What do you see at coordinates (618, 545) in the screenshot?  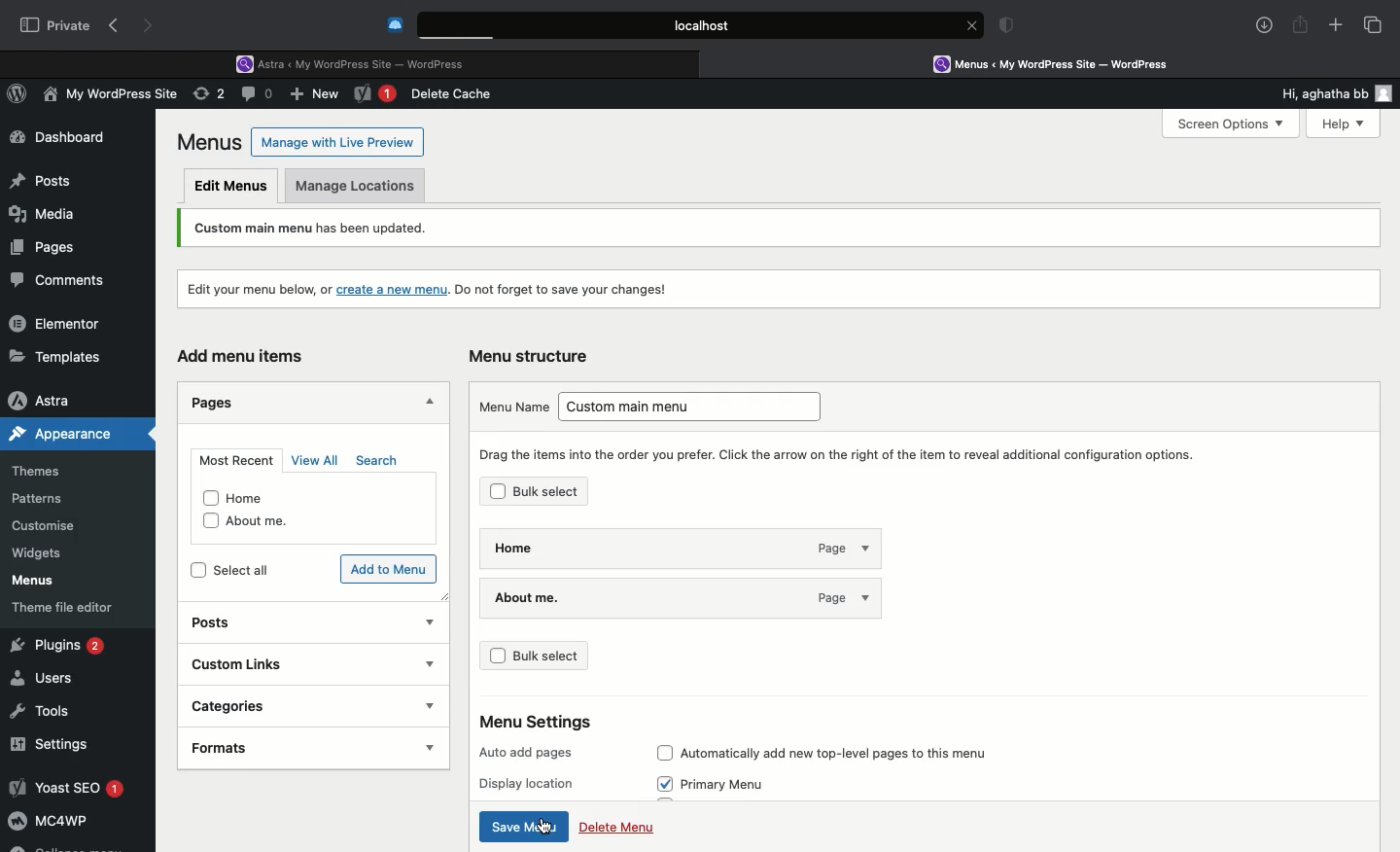 I see `Home - page` at bounding box center [618, 545].